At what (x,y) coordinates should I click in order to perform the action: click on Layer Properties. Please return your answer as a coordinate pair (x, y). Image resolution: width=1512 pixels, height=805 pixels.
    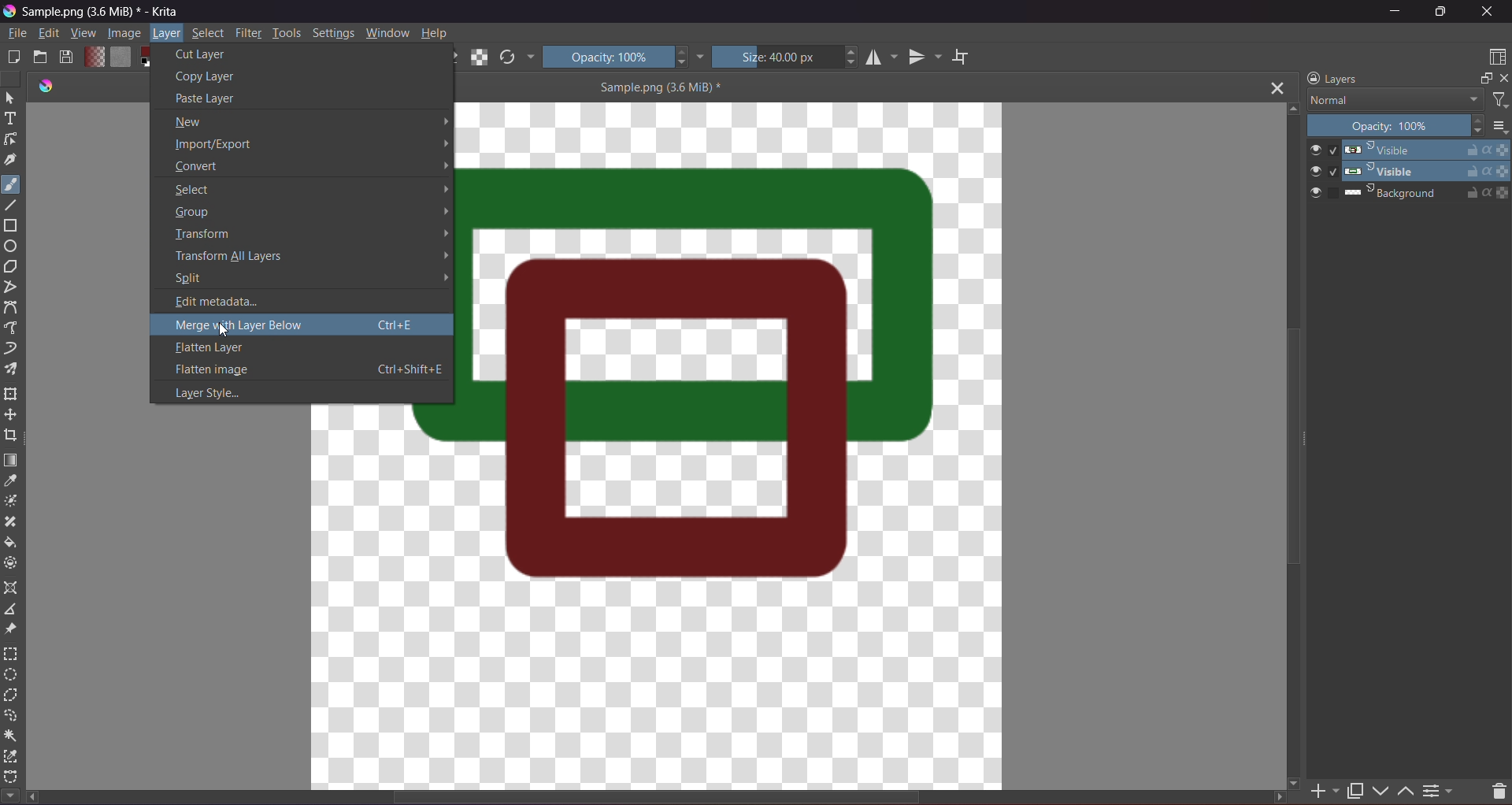
    Looking at the image, I should click on (1440, 788).